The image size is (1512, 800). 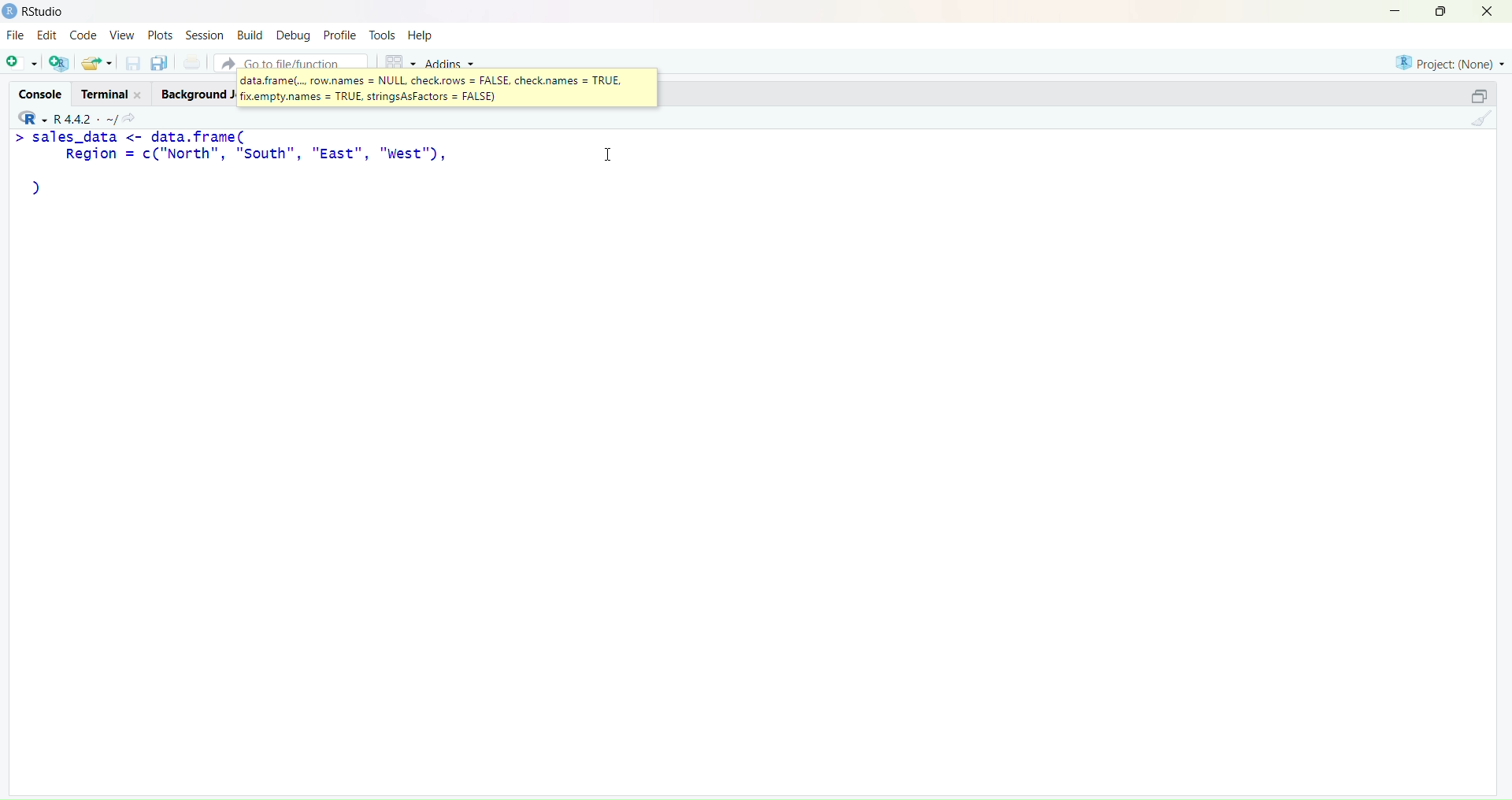 I want to click on Terminal, so click(x=108, y=93).